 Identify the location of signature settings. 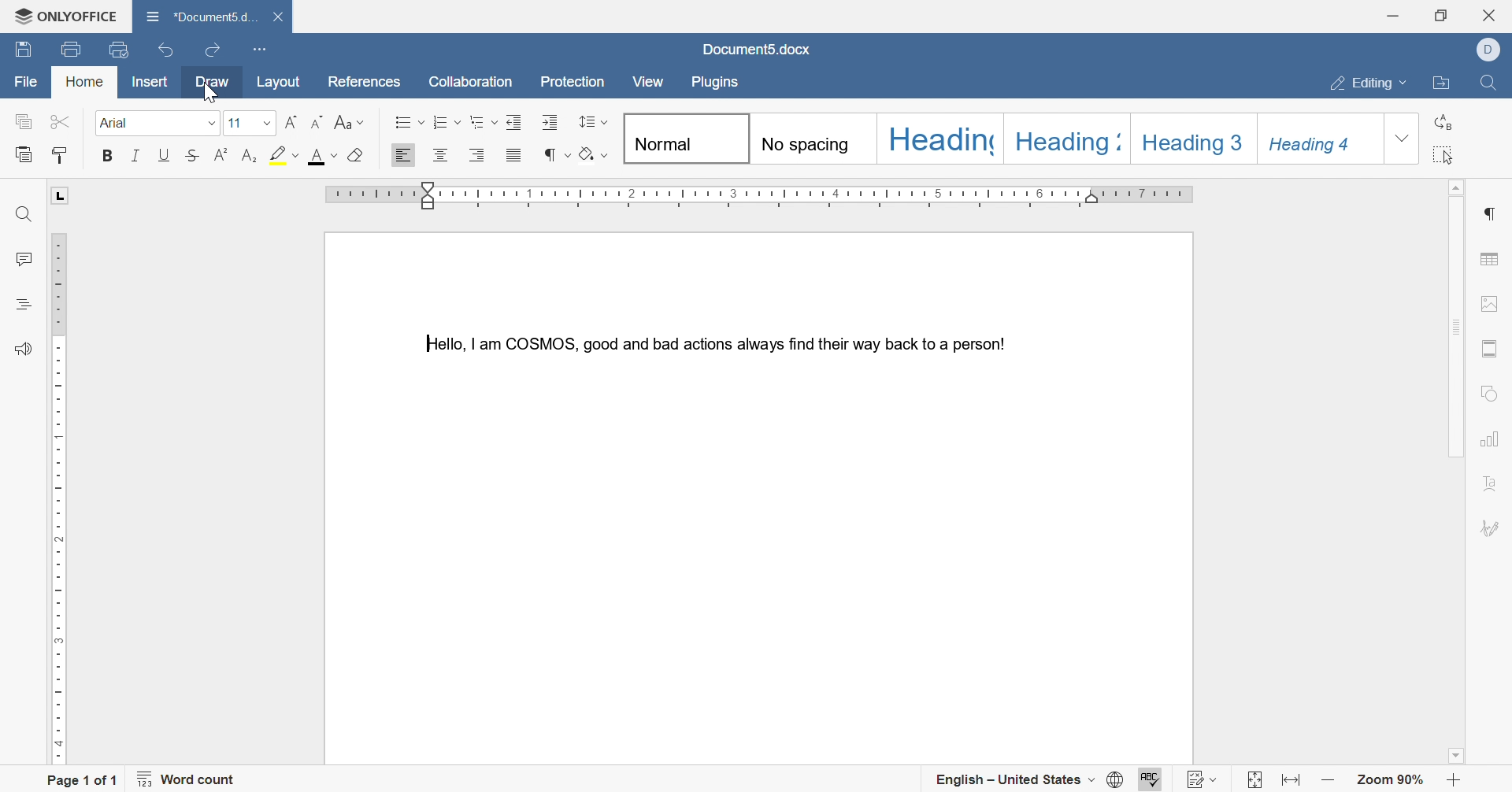
(1493, 530).